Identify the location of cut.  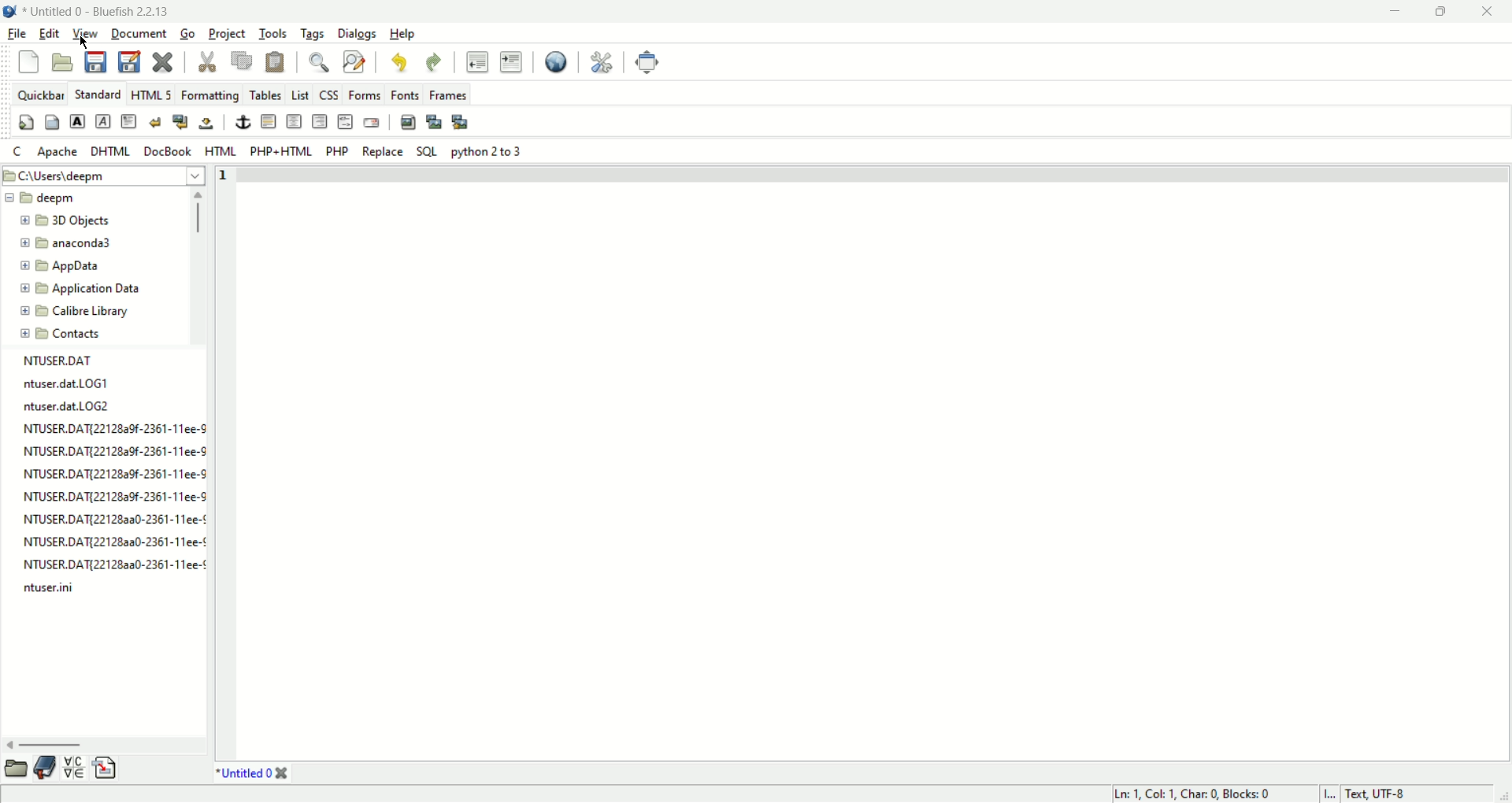
(206, 62).